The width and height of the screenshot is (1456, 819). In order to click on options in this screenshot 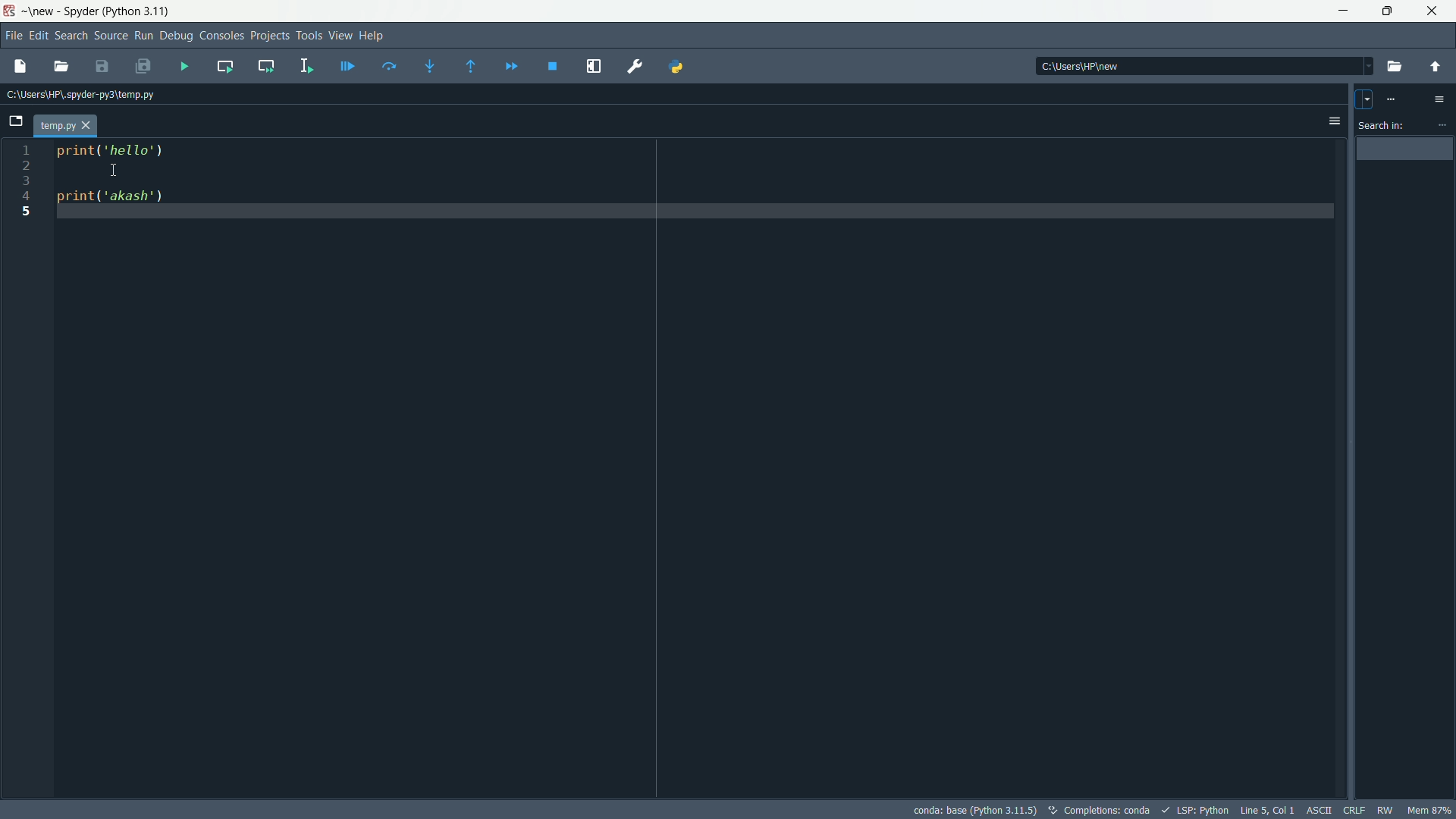, I will do `click(1329, 120)`.